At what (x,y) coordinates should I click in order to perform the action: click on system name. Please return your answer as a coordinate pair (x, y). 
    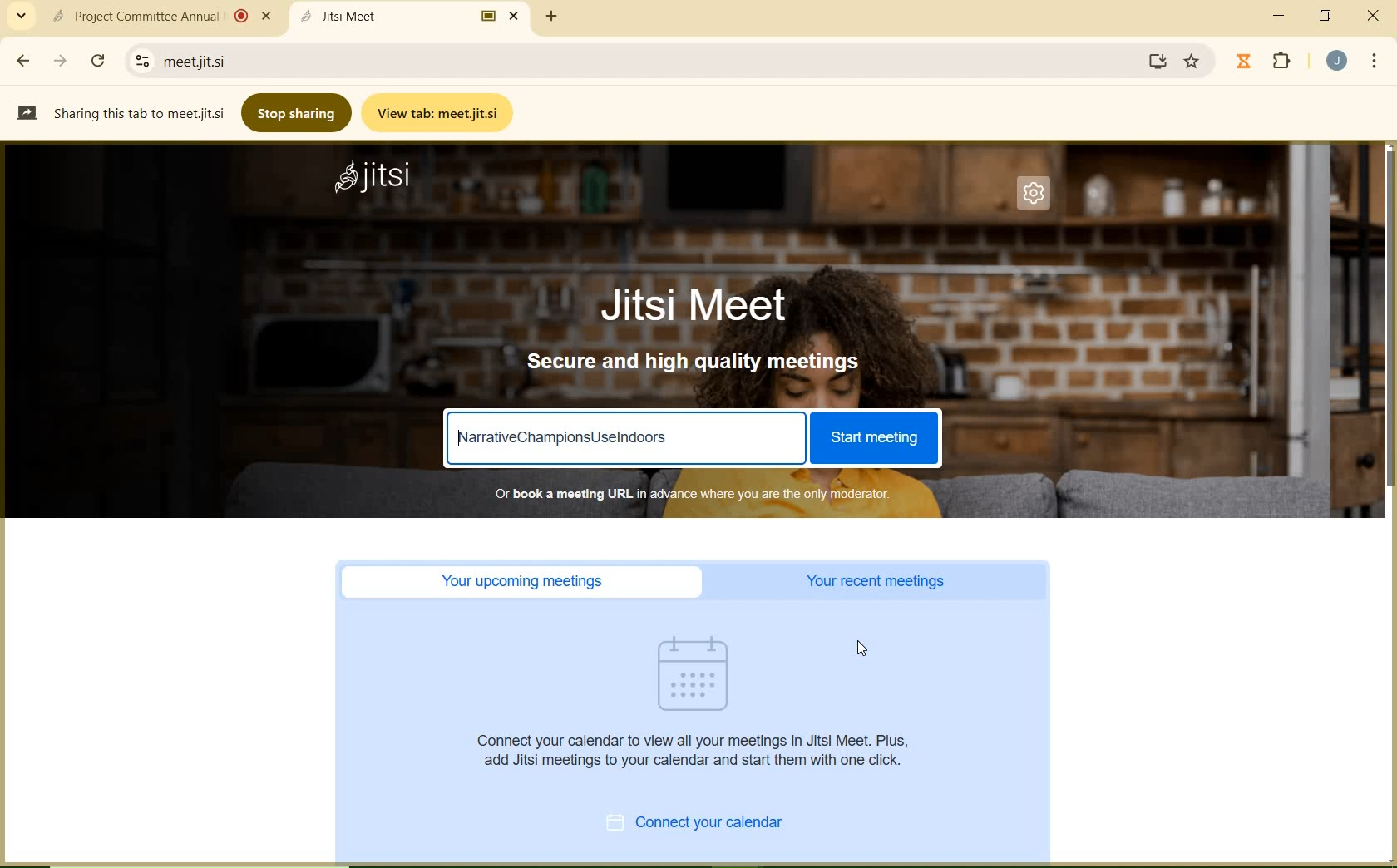
    Looking at the image, I should click on (373, 180).